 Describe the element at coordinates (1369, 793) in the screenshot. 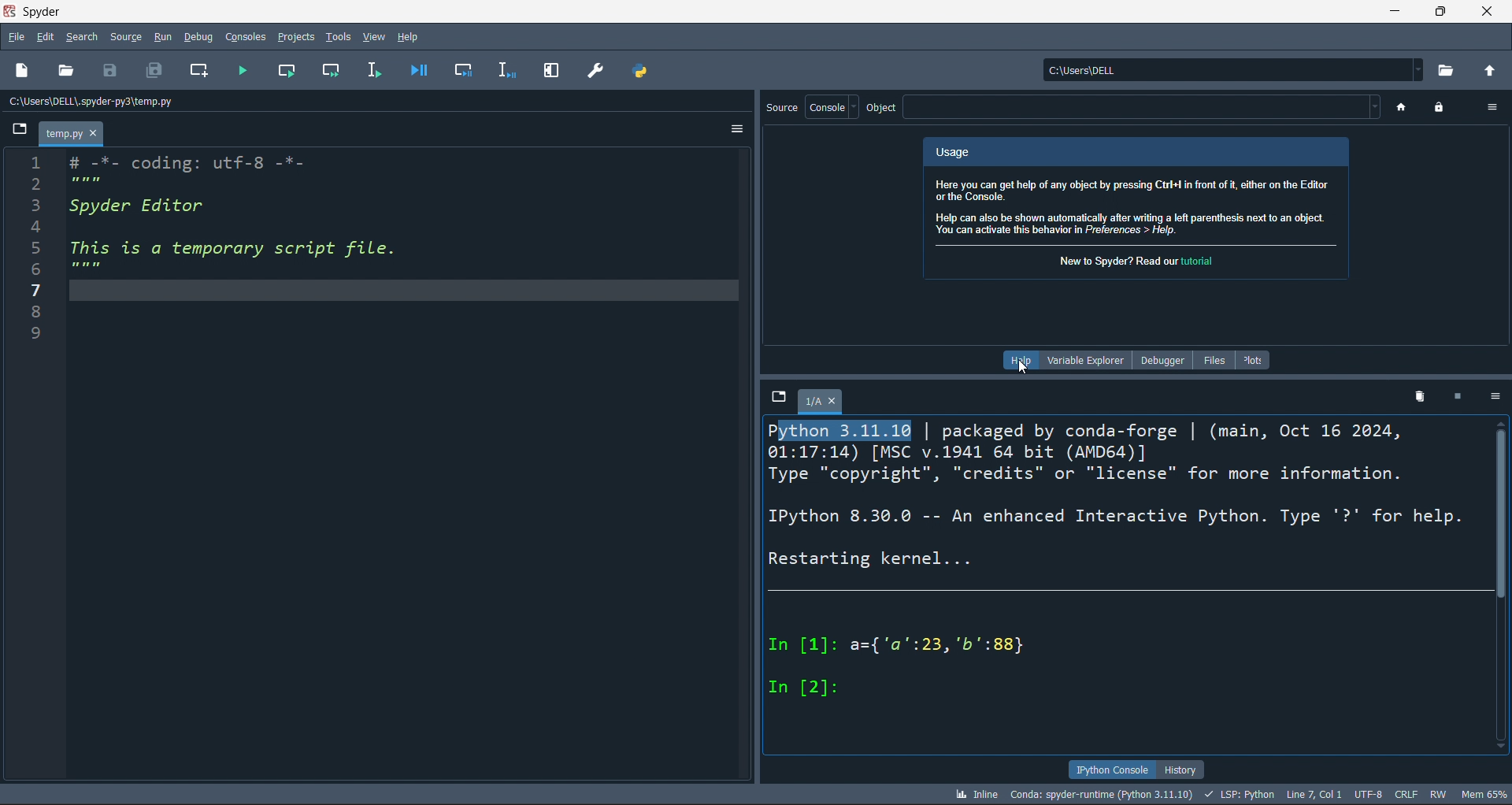

I see `UTF-8` at that location.